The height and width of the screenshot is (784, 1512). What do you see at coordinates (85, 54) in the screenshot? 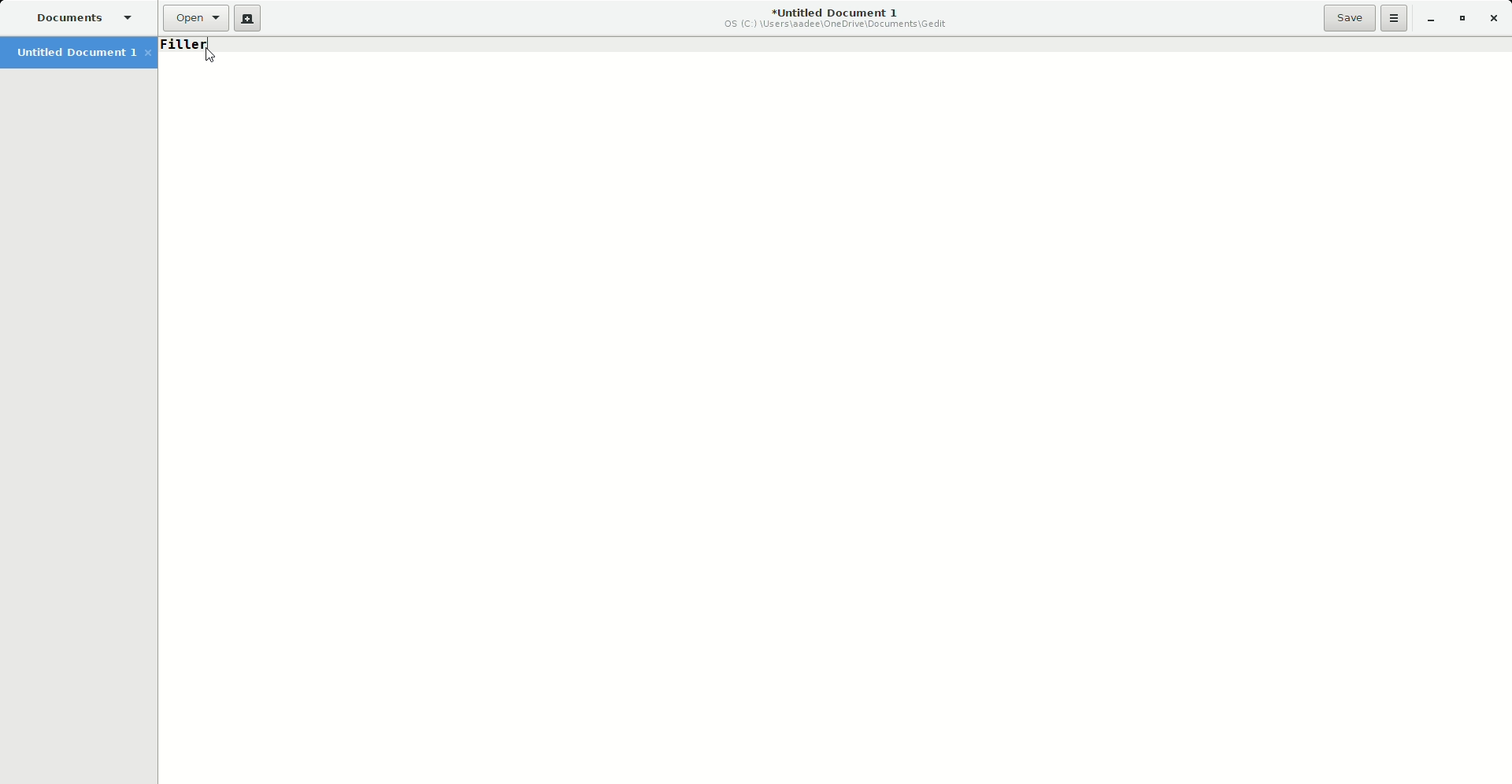
I see `Untitled Document 1` at bounding box center [85, 54].